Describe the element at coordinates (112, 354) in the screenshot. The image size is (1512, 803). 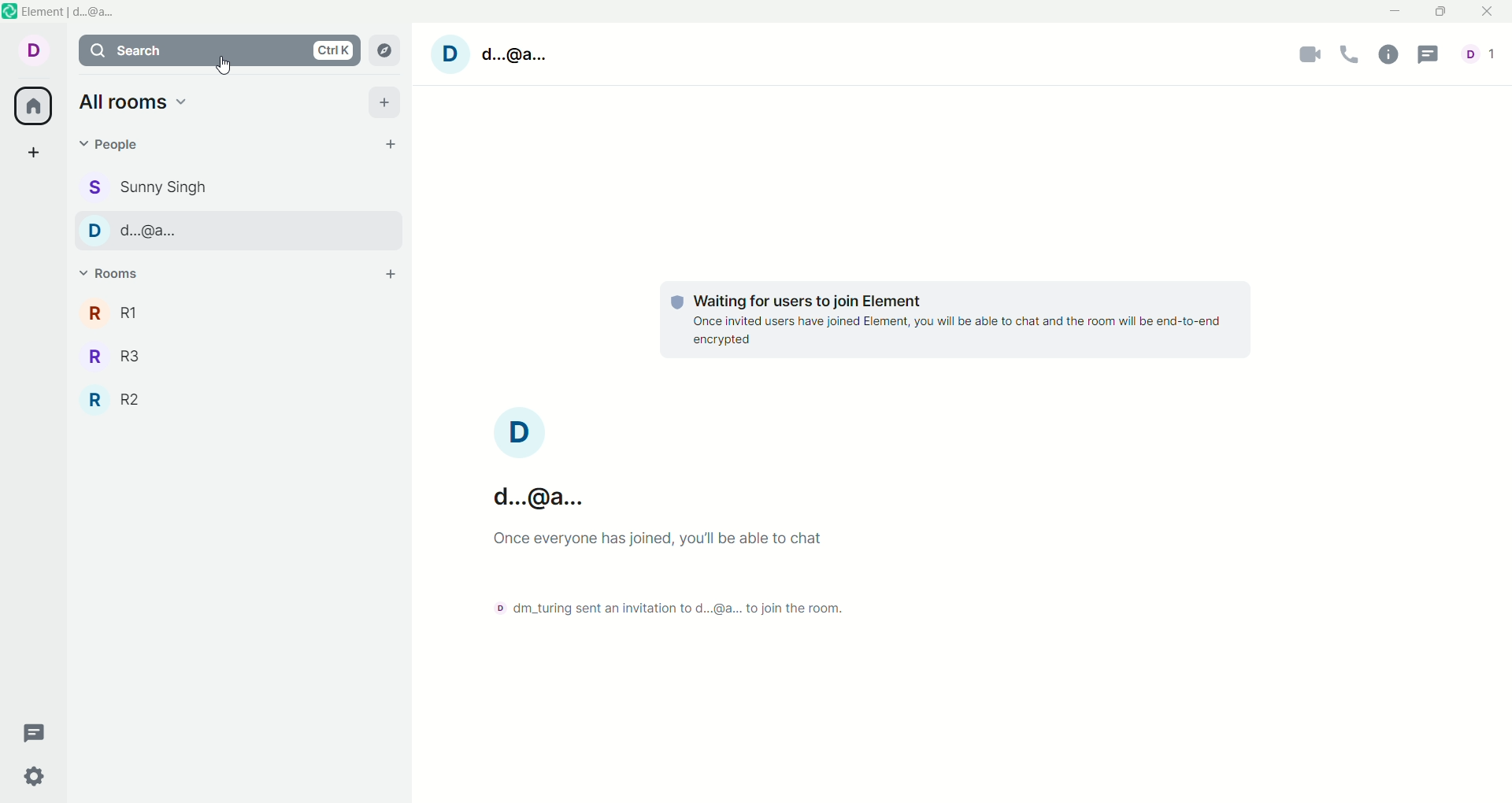
I see `R3` at that location.